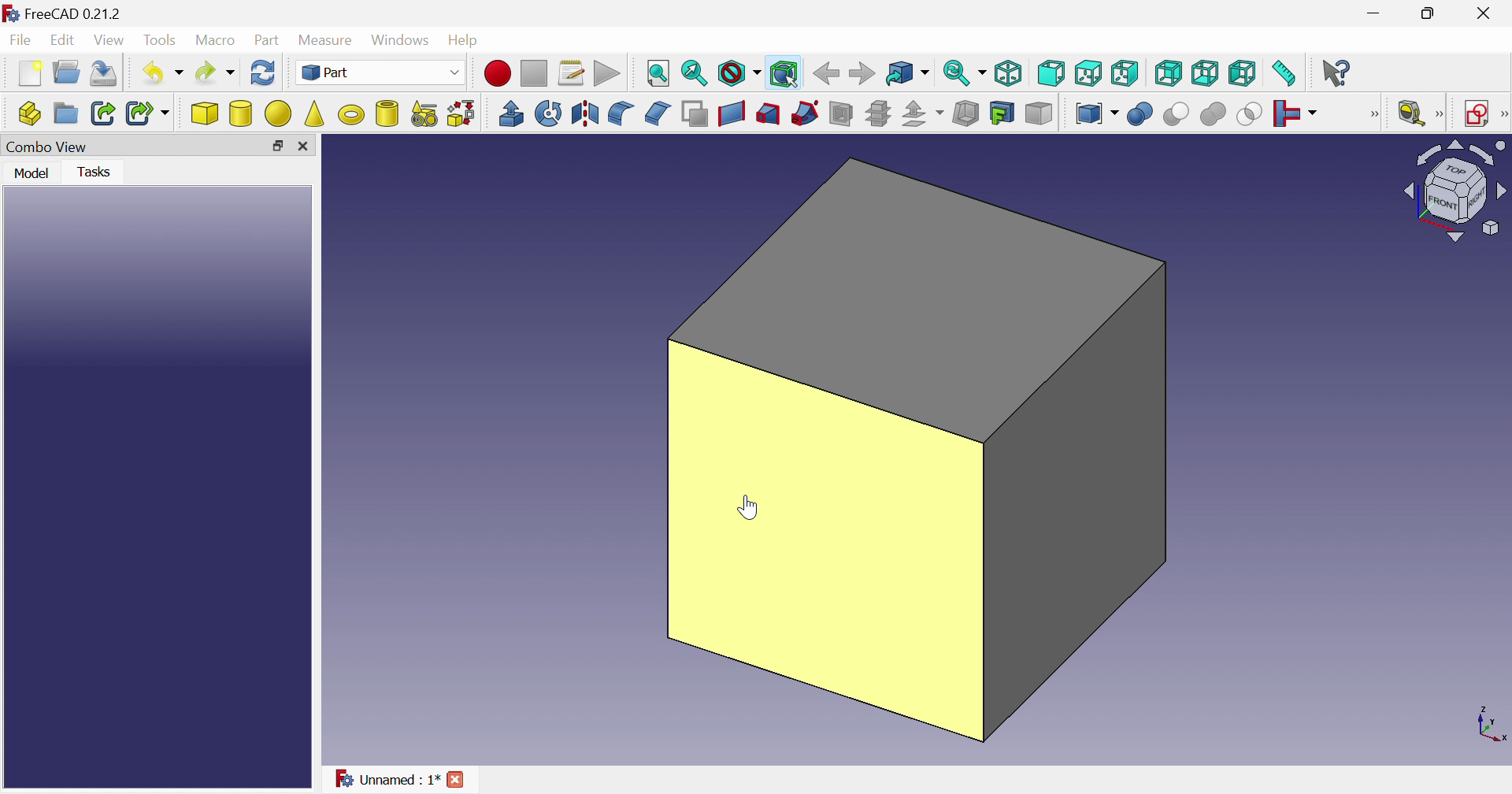 This screenshot has width=1512, height=794. I want to click on Cylinder, so click(242, 113).